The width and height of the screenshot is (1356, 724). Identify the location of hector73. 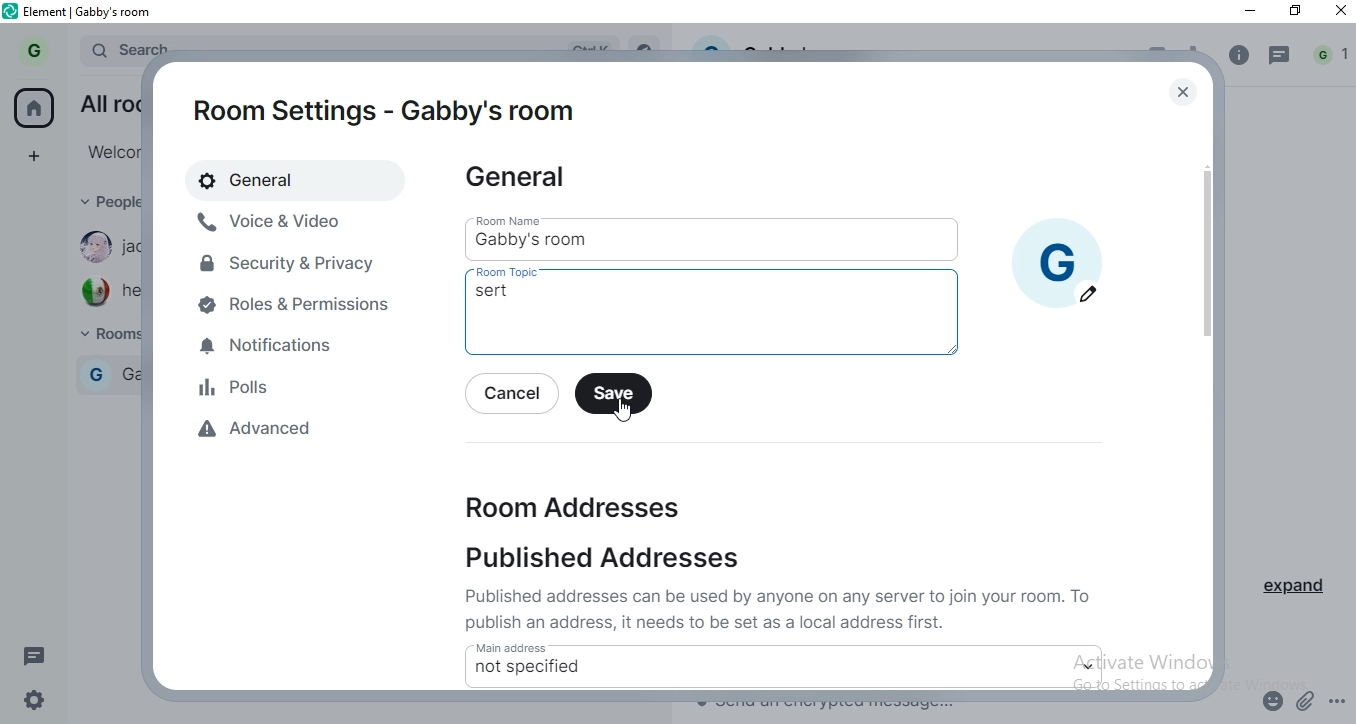
(106, 292).